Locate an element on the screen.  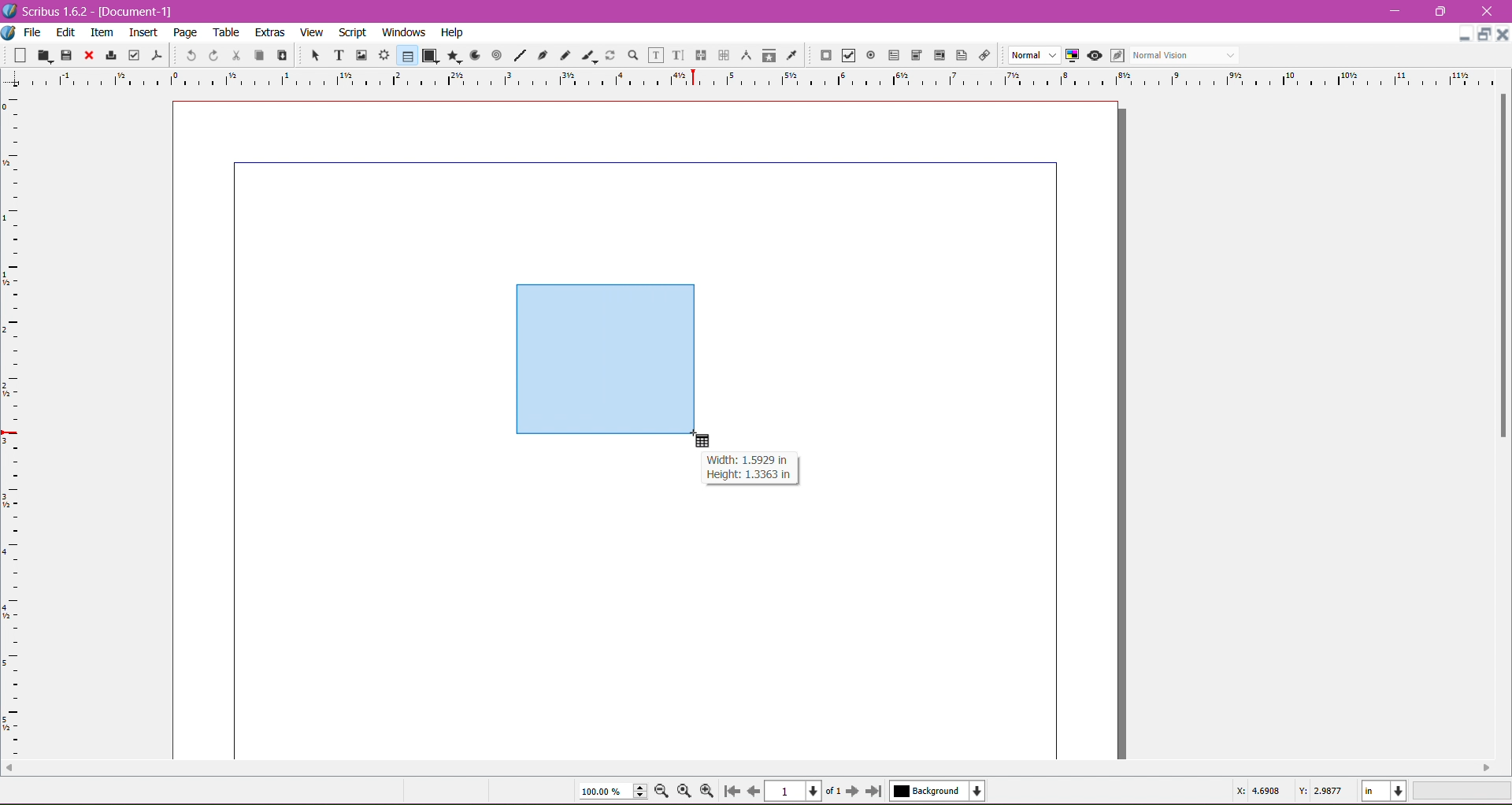
Maximize is located at coordinates (1441, 11).